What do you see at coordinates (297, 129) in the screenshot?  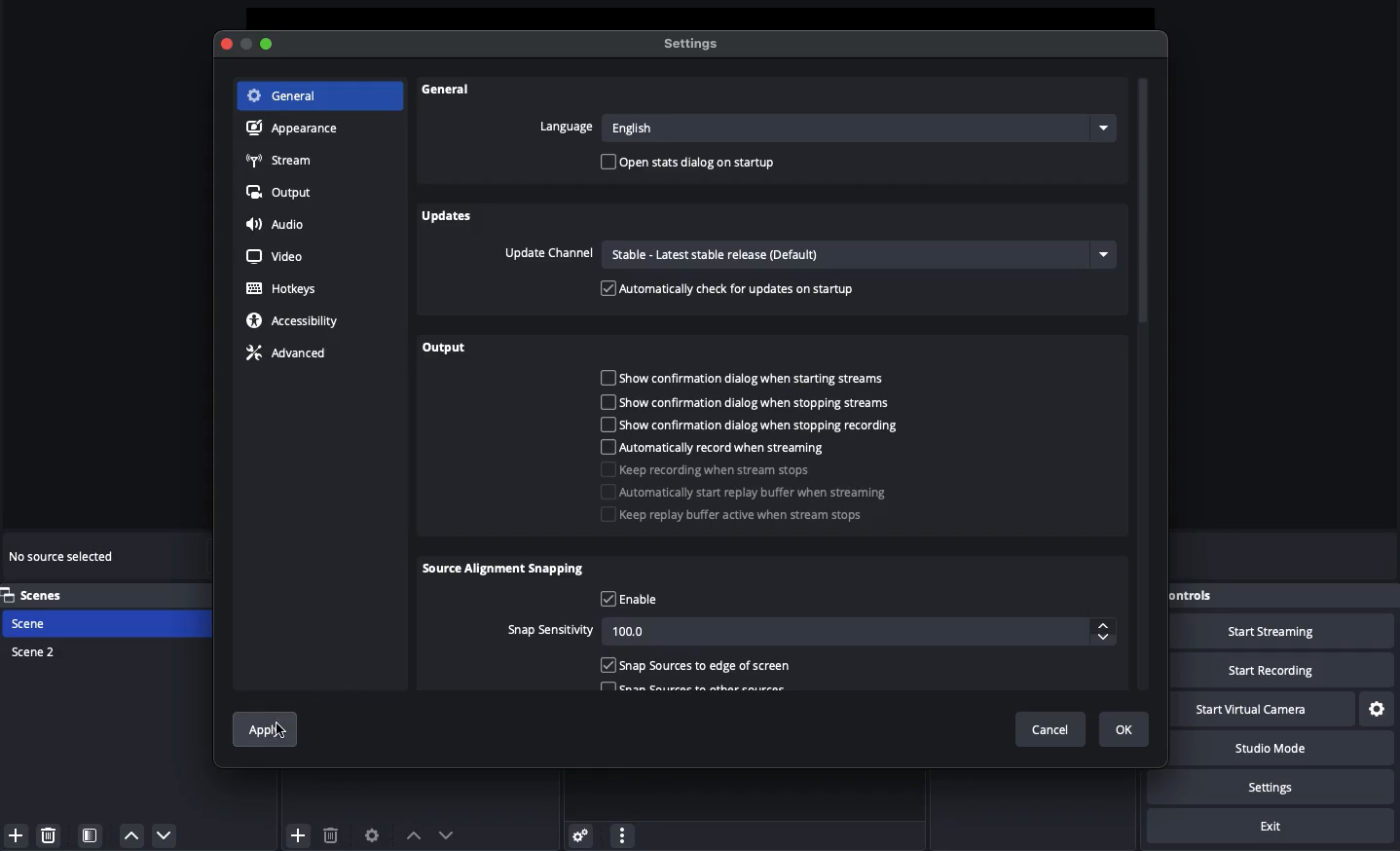 I see `Appearance ` at bounding box center [297, 129].